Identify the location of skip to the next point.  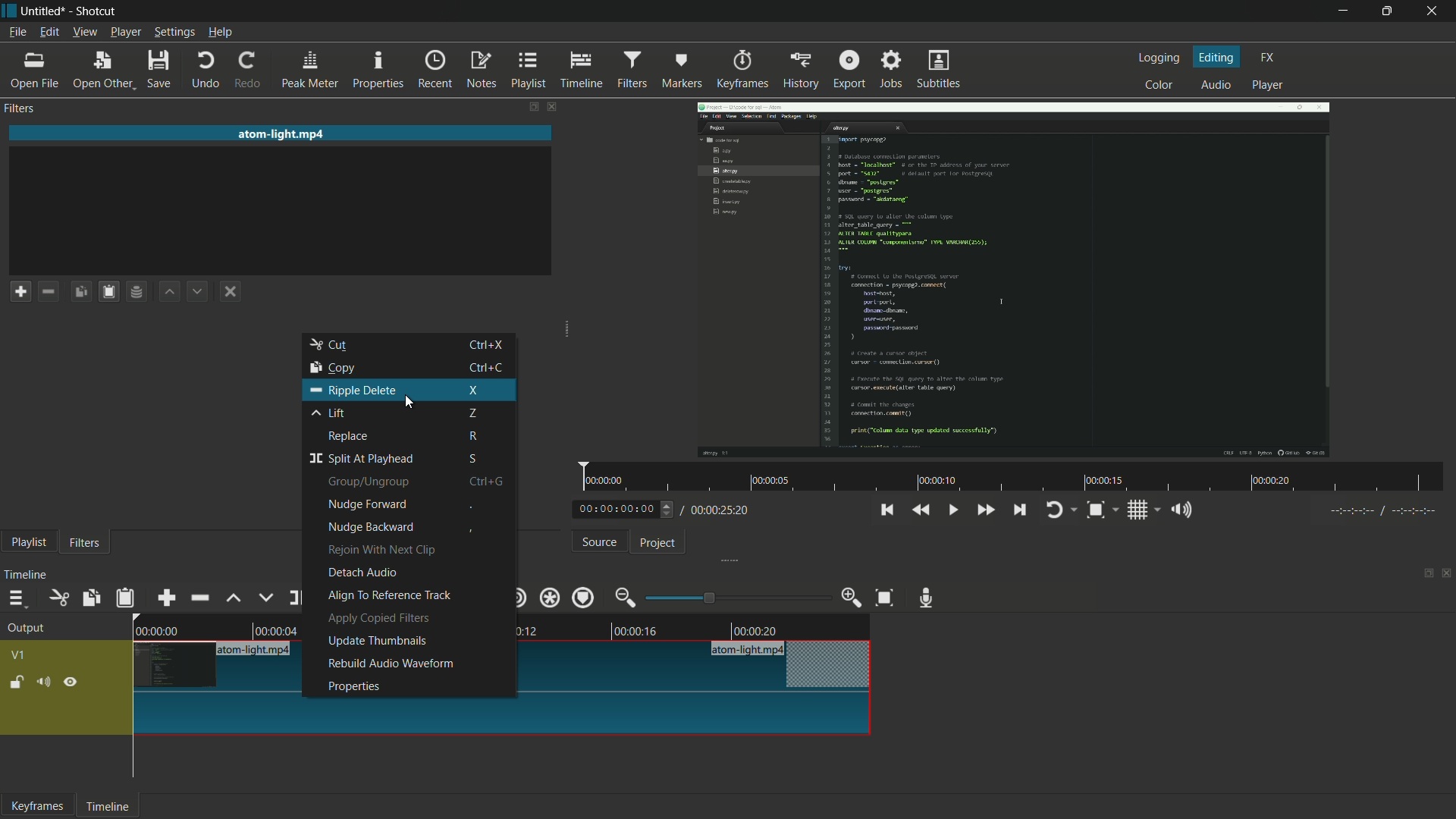
(1018, 510).